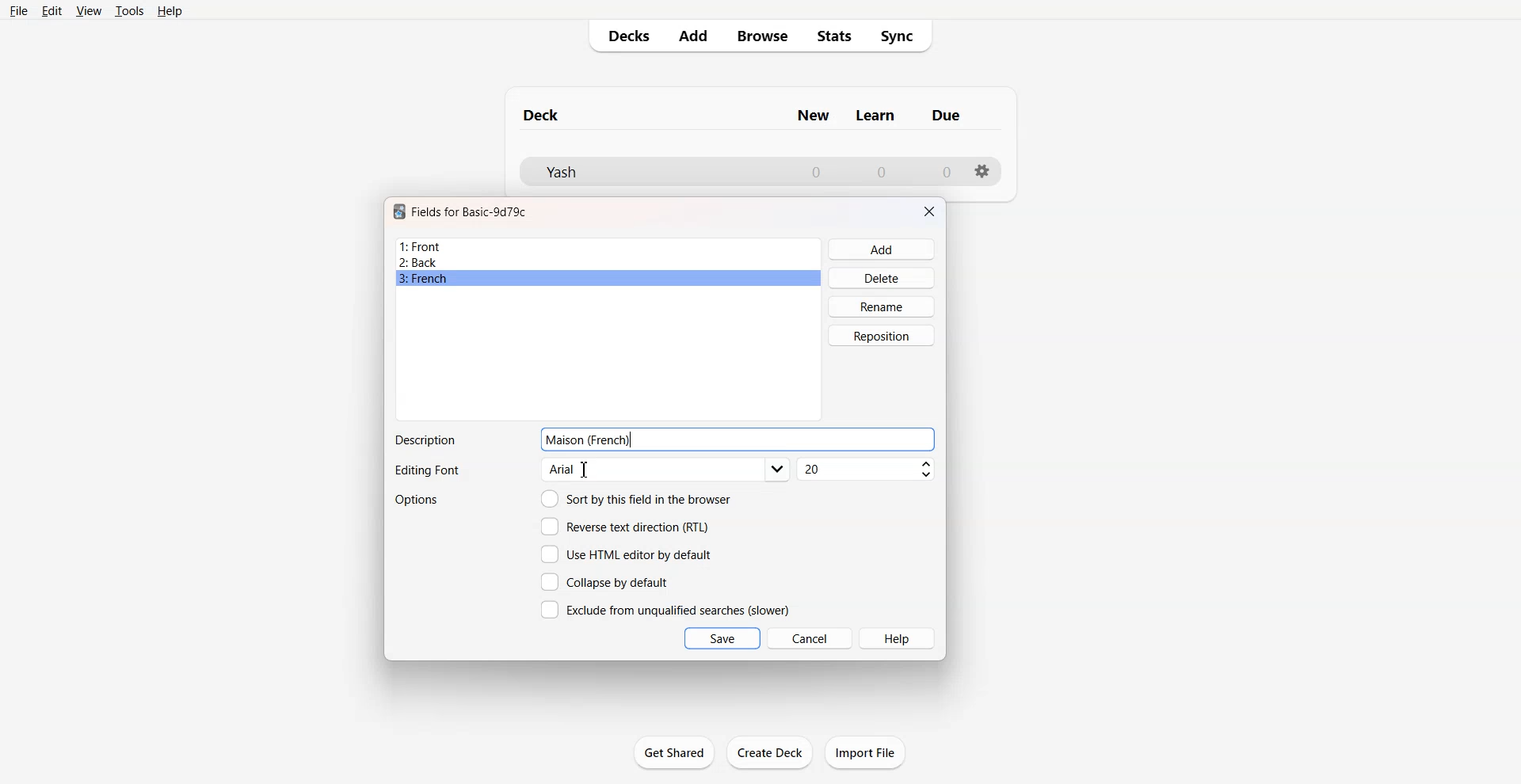 The width and height of the screenshot is (1521, 784). What do you see at coordinates (867, 470) in the screenshot?
I see `Font size` at bounding box center [867, 470].